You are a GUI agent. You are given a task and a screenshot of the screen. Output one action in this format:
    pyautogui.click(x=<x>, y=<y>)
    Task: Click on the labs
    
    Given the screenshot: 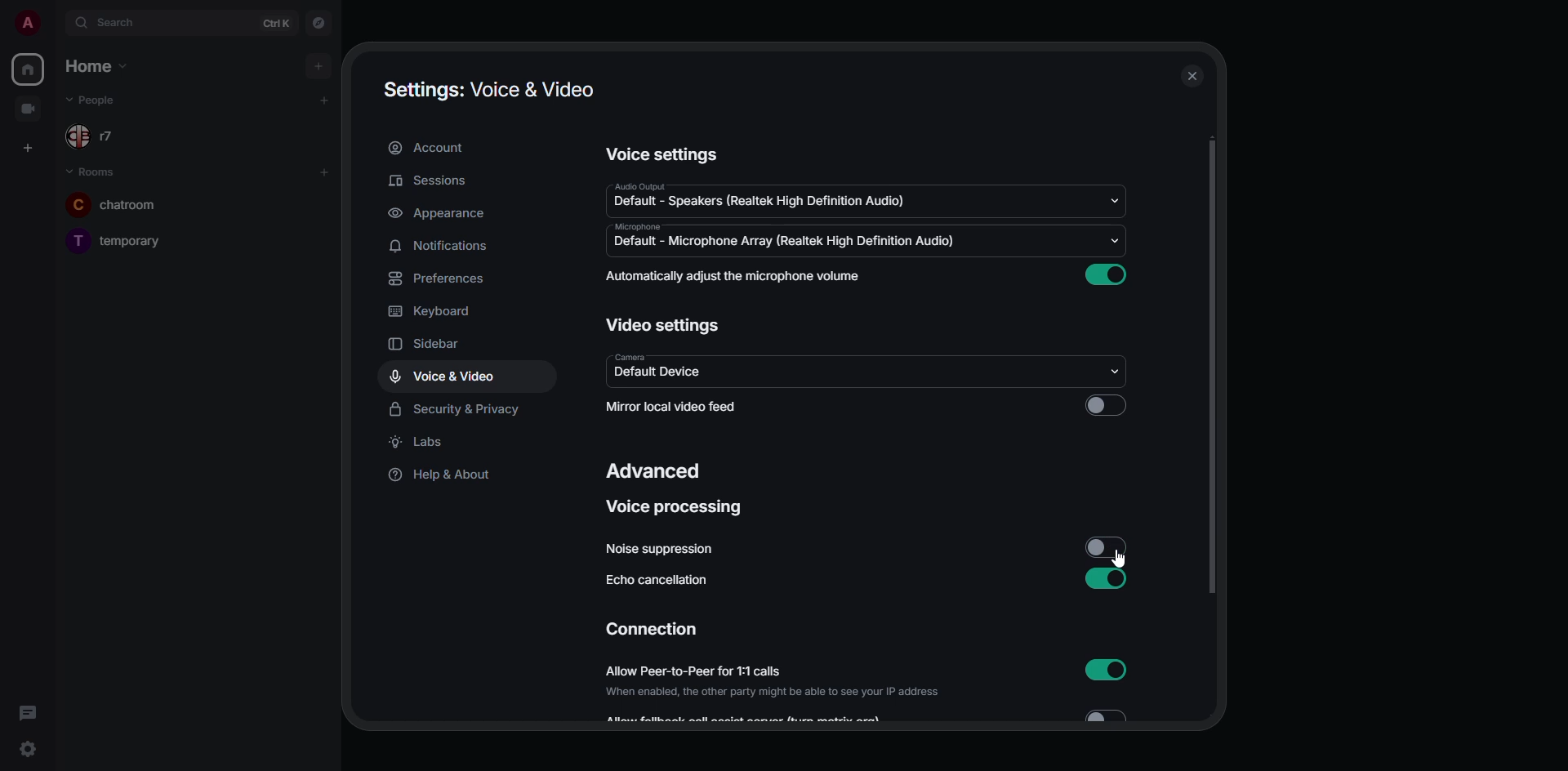 What is the action you would take?
    pyautogui.click(x=419, y=443)
    